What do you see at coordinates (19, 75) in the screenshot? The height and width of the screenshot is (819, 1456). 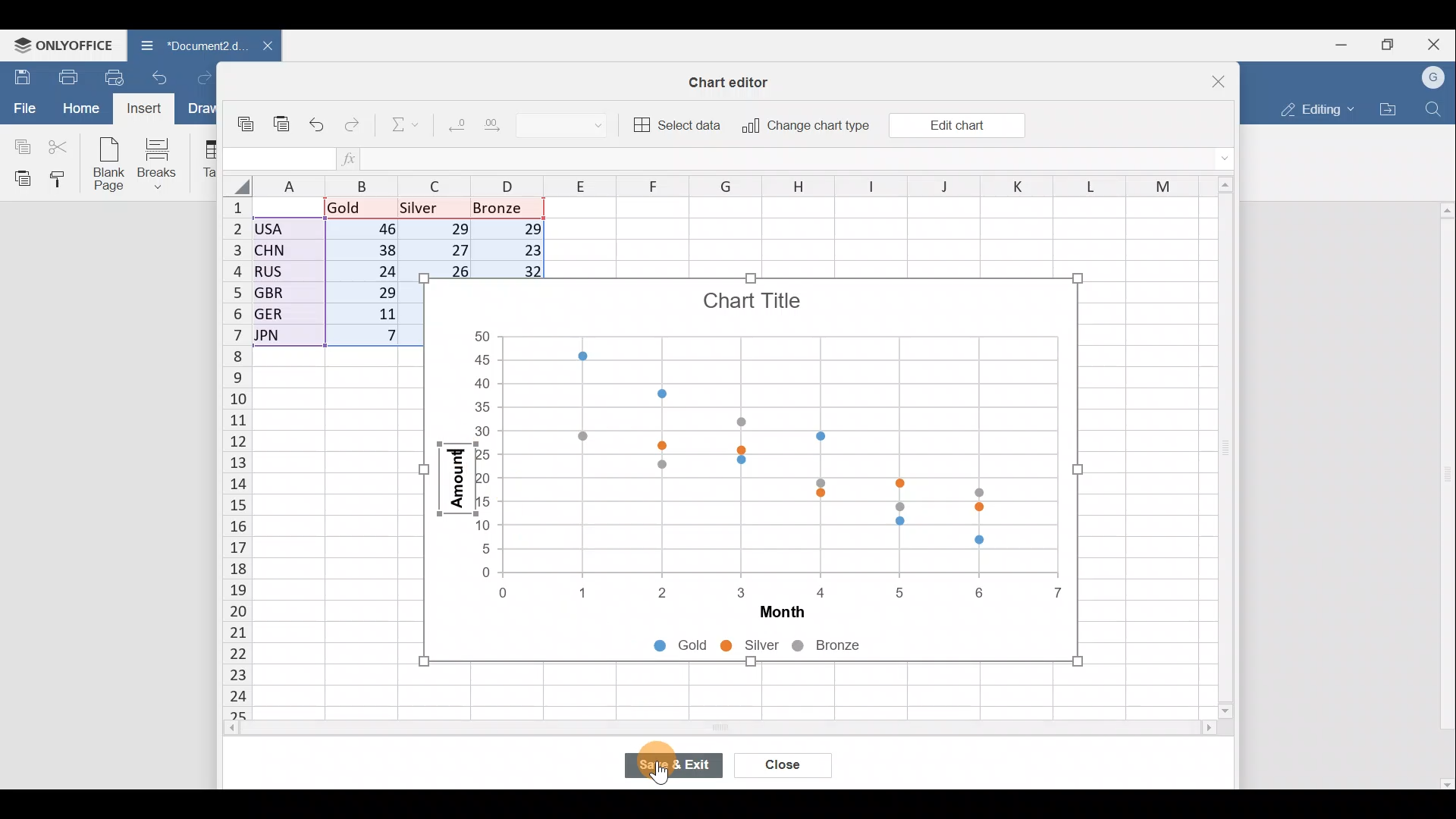 I see `Save` at bounding box center [19, 75].